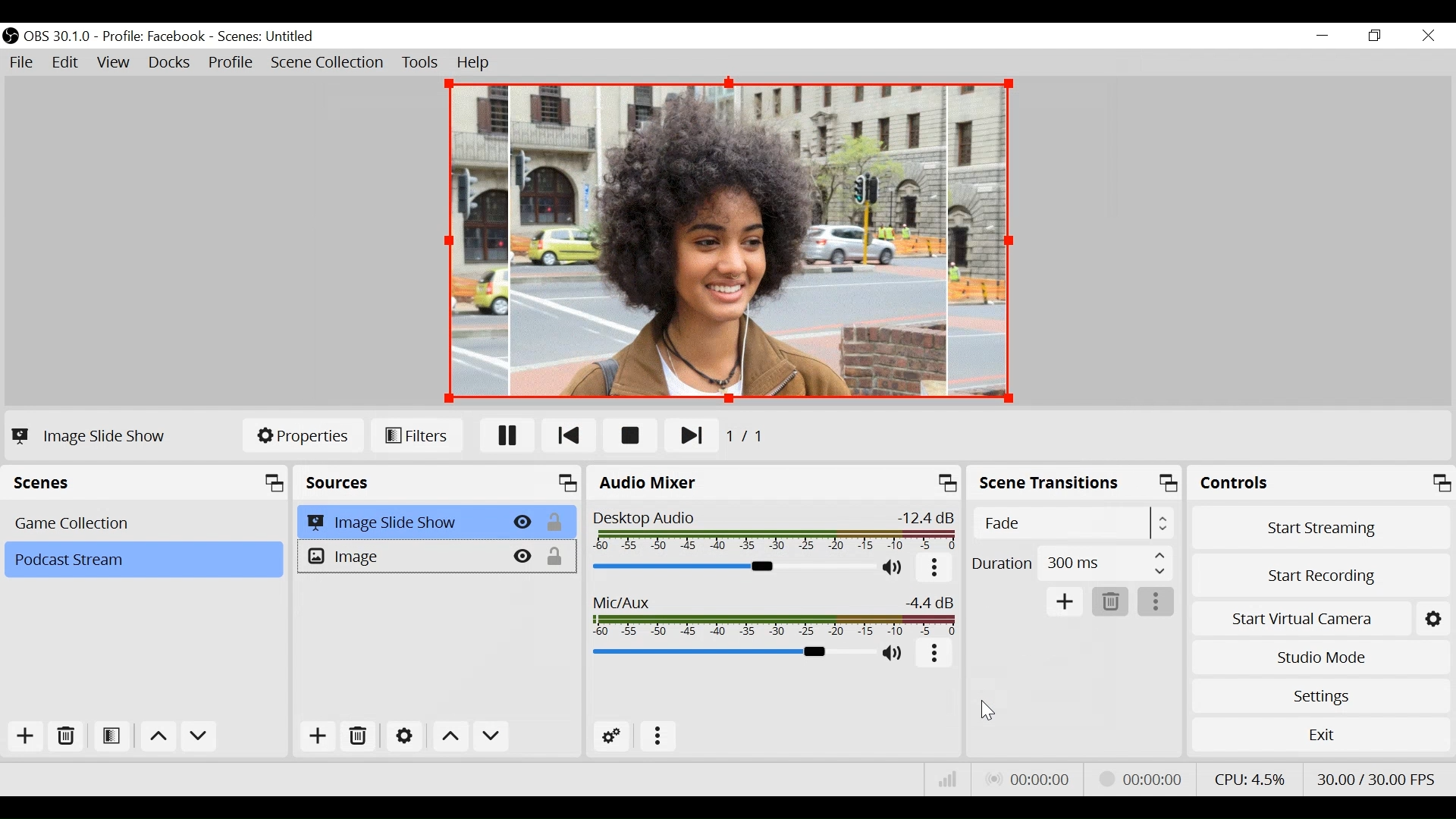 The width and height of the screenshot is (1456, 819). What do you see at coordinates (67, 63) in the screenshot?
I see `Edit` at bounding box center [67, 63].